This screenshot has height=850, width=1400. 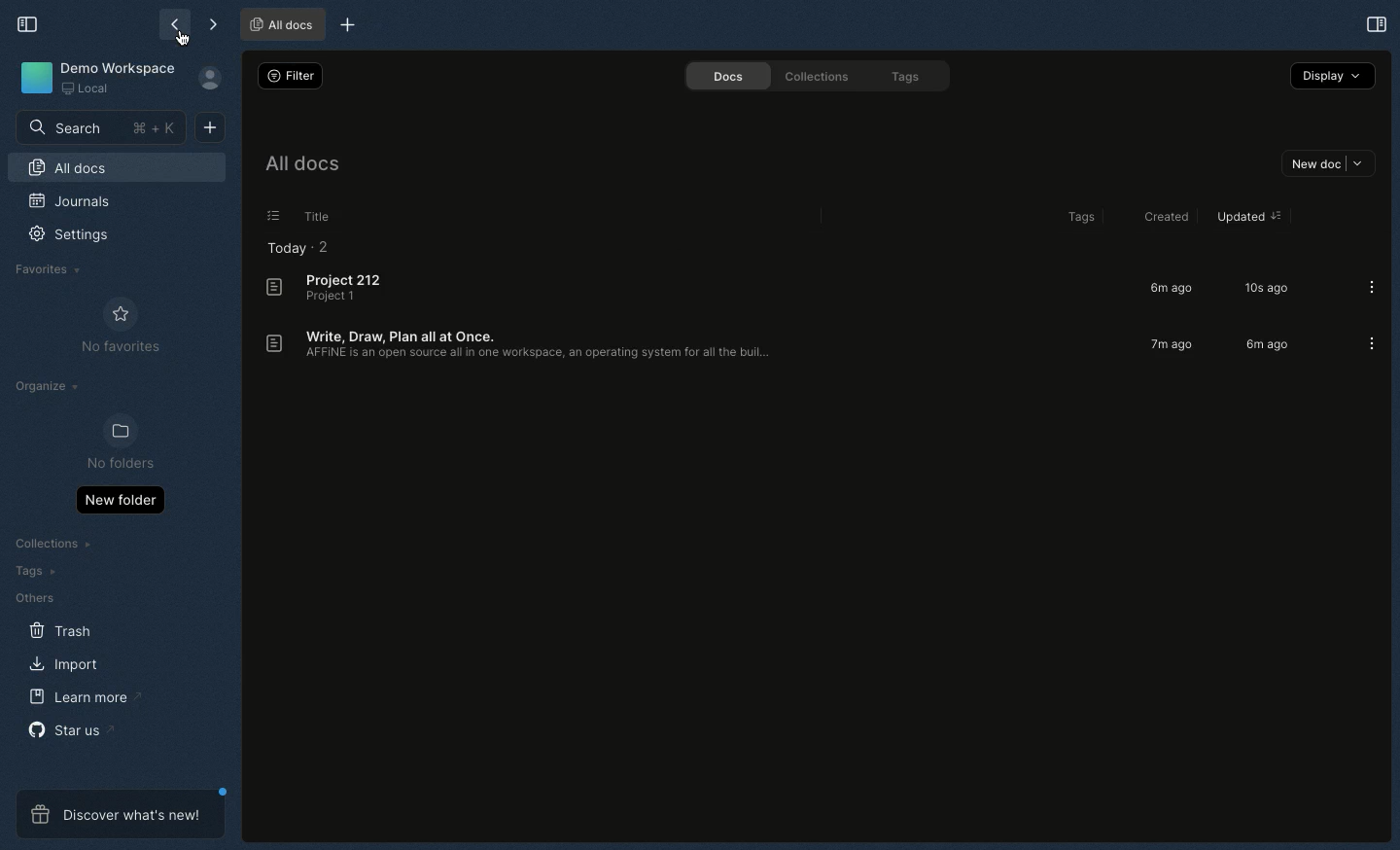 What do you see at coordinates (729, 75) in the screenshot?
I see `Docs` at bounding box center [729, 75].